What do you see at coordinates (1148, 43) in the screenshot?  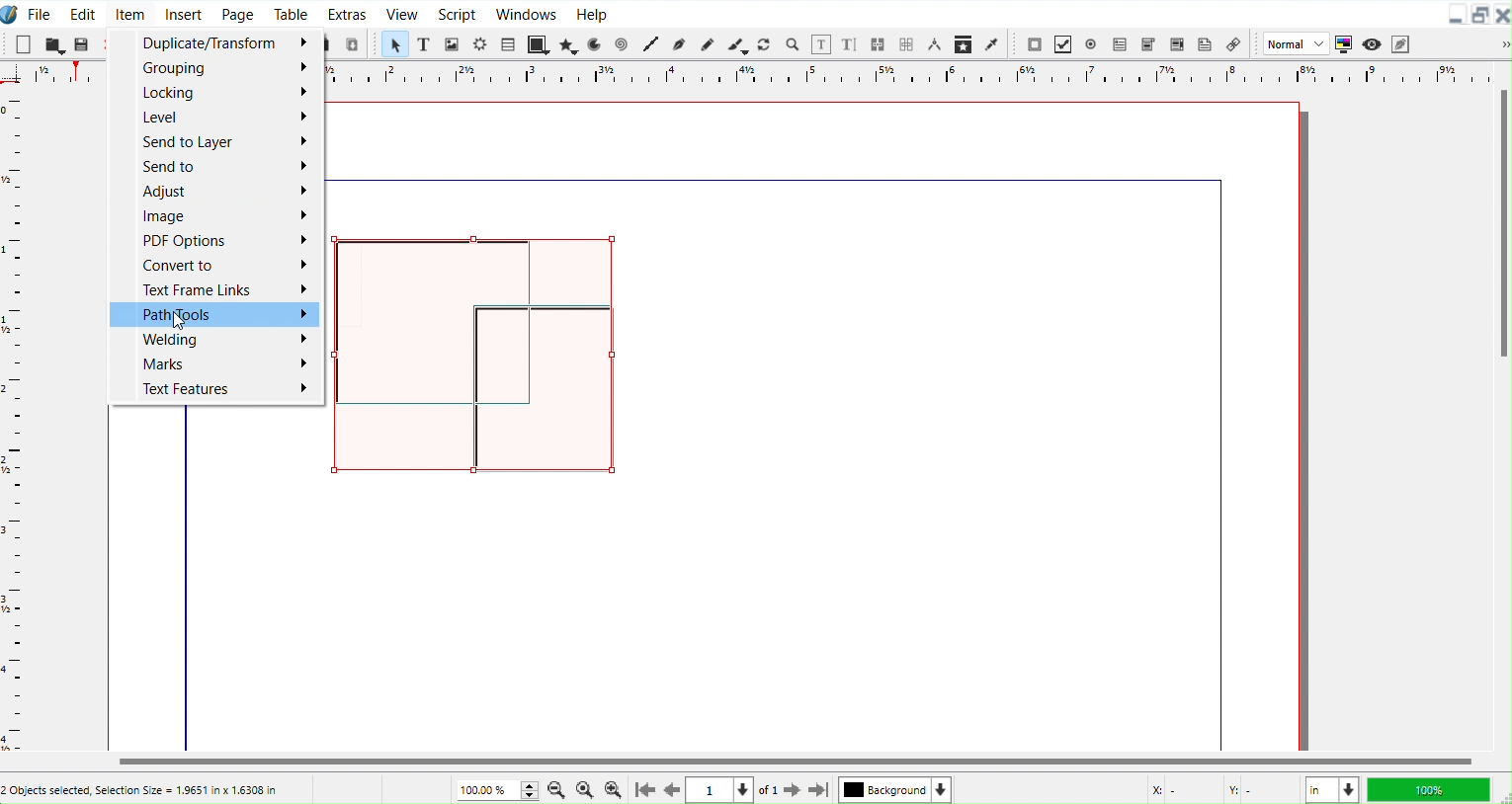 I see `PDF Combo Box` at bounding box center [1148, 43].